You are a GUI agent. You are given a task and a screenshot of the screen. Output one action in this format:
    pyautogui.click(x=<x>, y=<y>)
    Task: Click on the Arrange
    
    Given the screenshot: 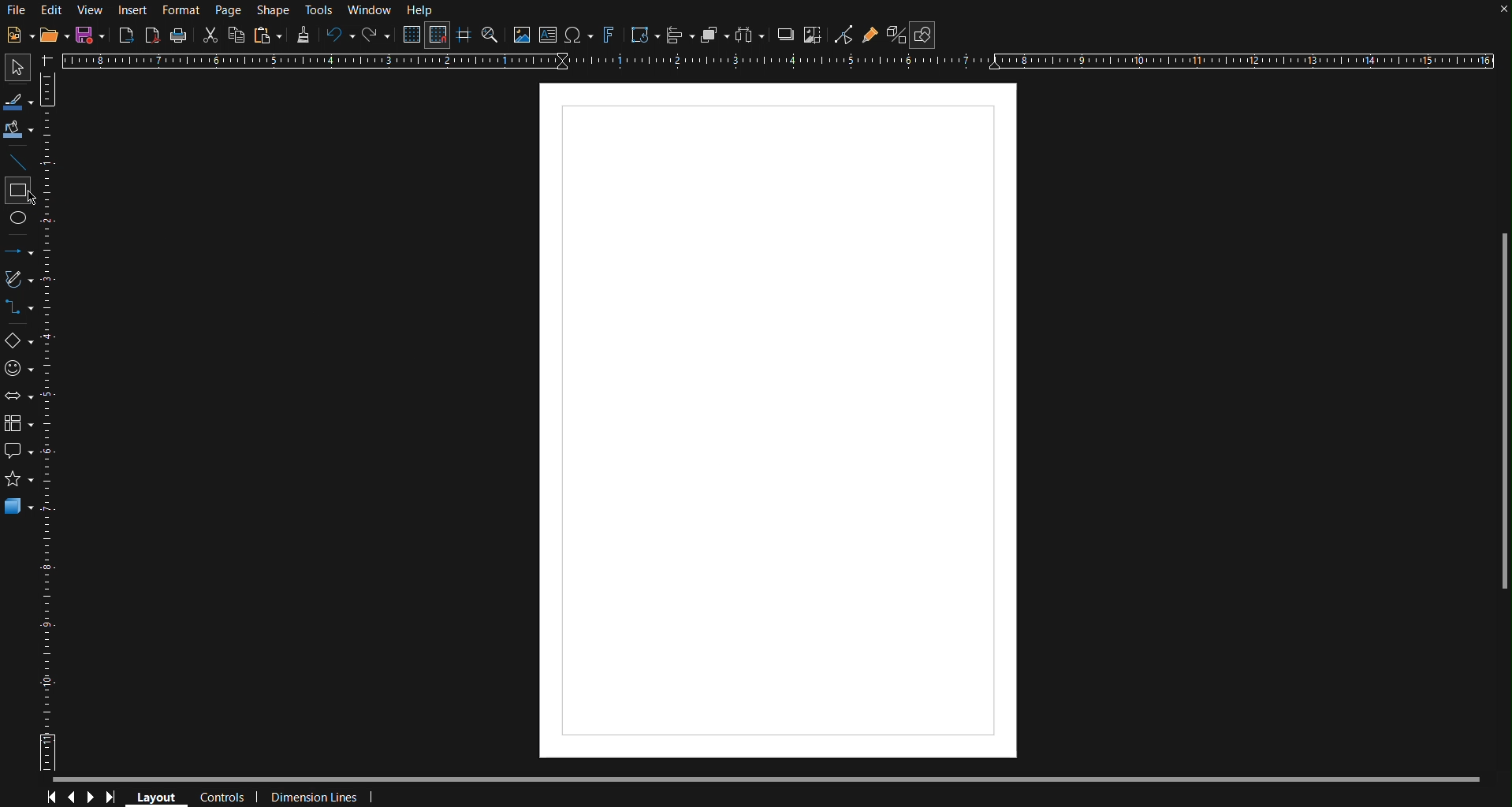 What is the action you would take?
    pyautogui.click(x=715, y=34)
    